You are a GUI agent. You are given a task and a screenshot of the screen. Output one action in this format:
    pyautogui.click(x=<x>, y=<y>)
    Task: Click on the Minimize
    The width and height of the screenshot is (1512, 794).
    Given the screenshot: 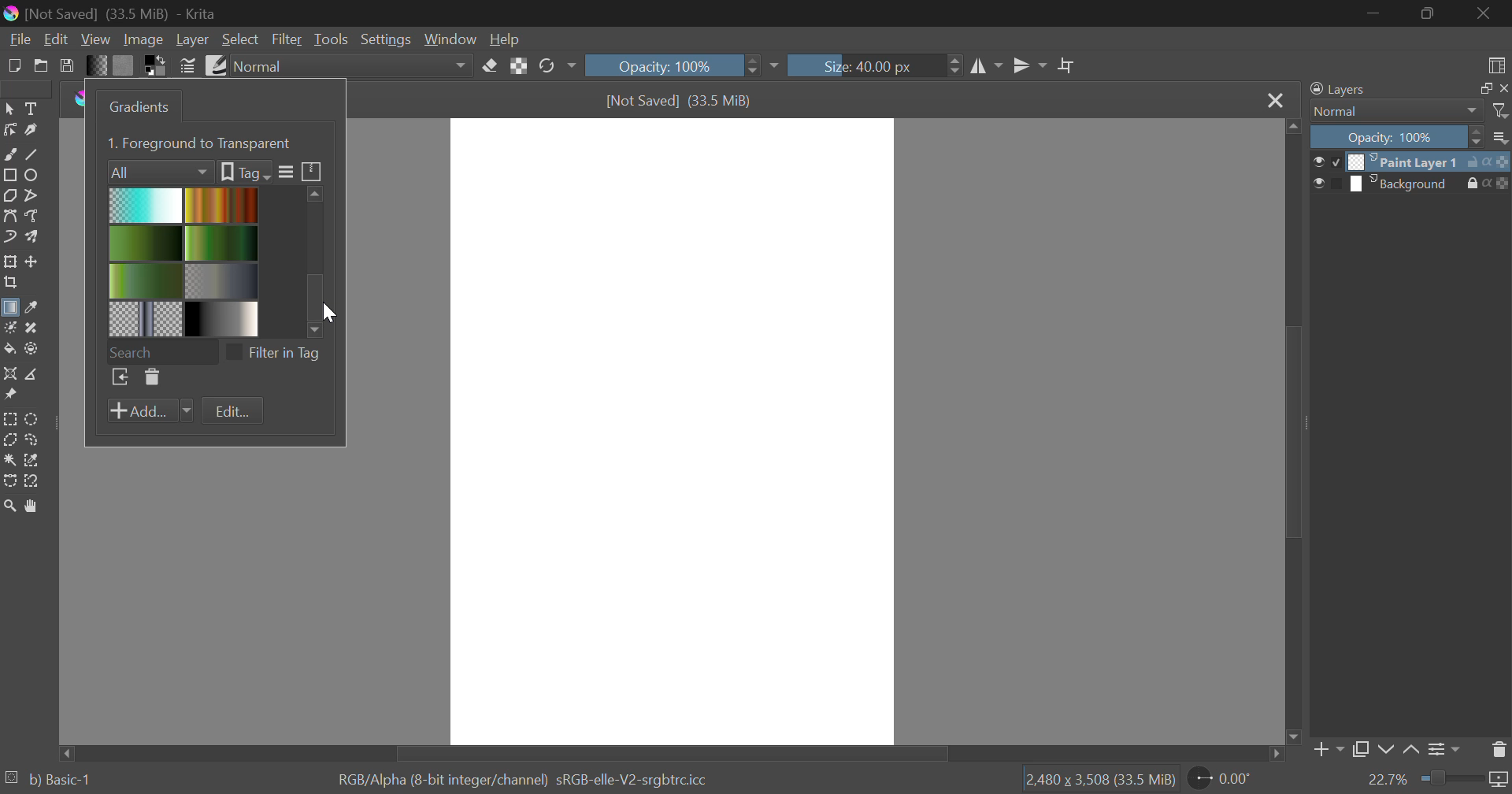 What is the action you would take?
    pyautogui.click(x=1430, y=15)
    